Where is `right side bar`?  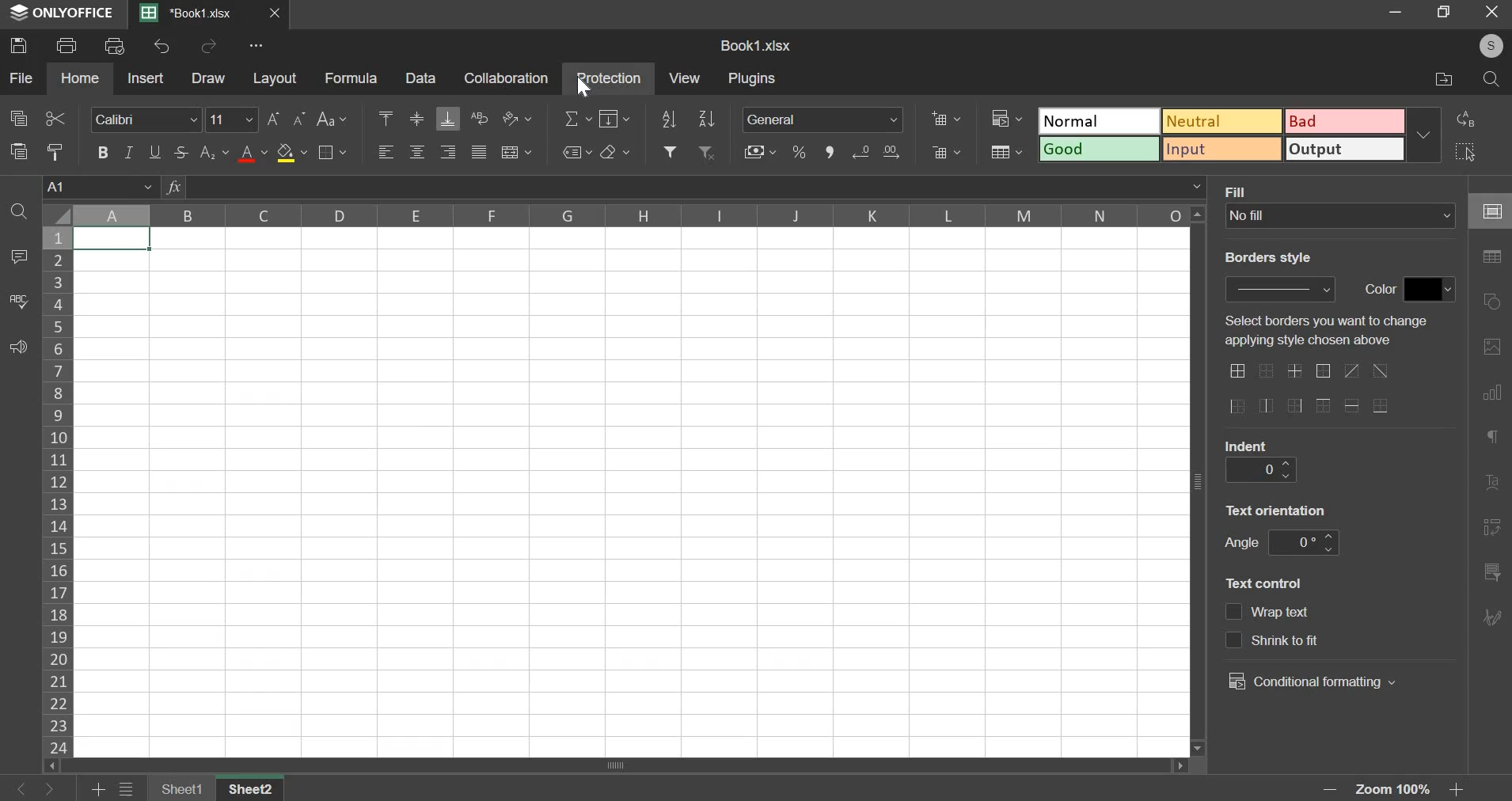 right side bar is located at coordinates (1492, 526).